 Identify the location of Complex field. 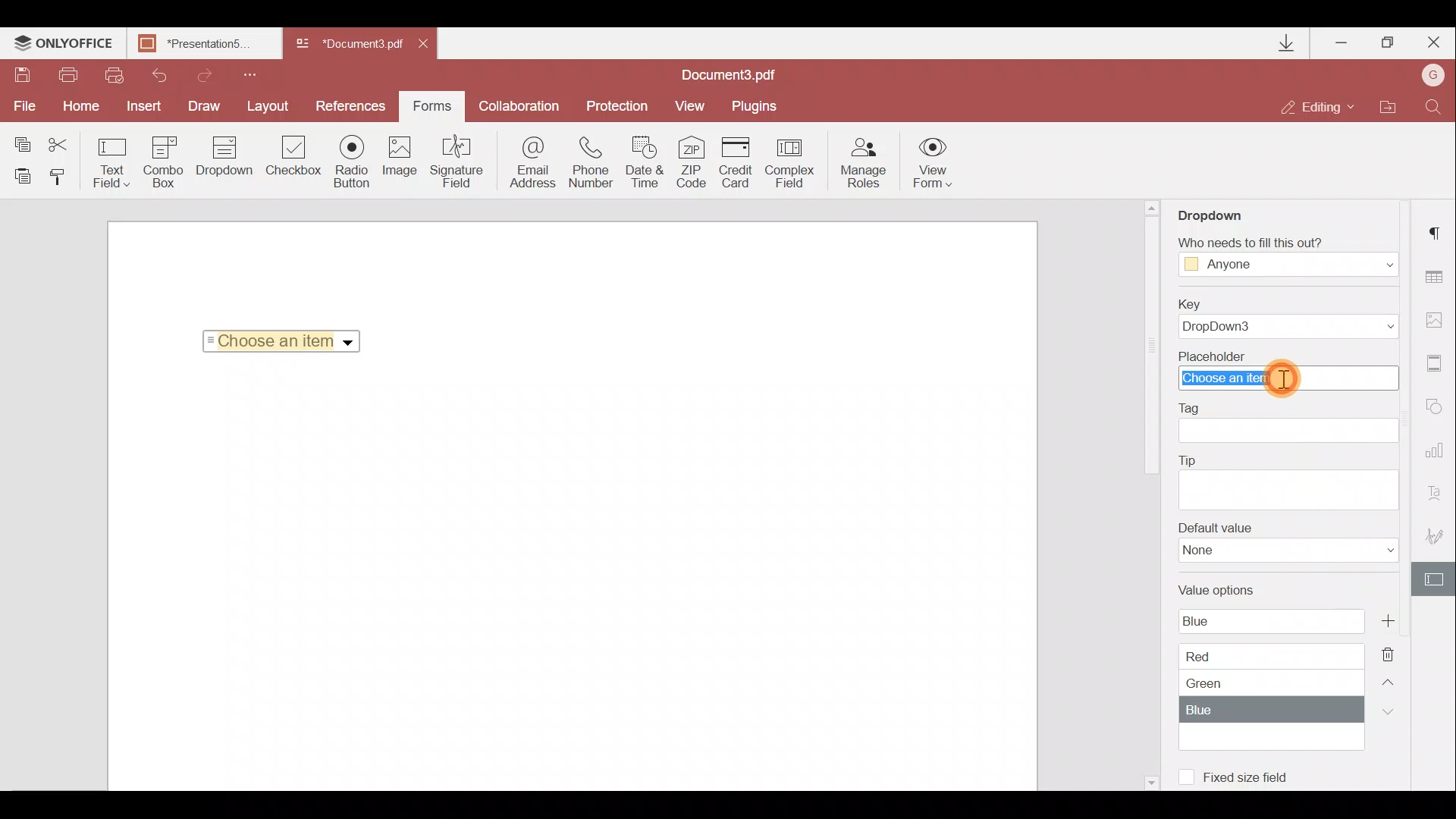
(791, 162).